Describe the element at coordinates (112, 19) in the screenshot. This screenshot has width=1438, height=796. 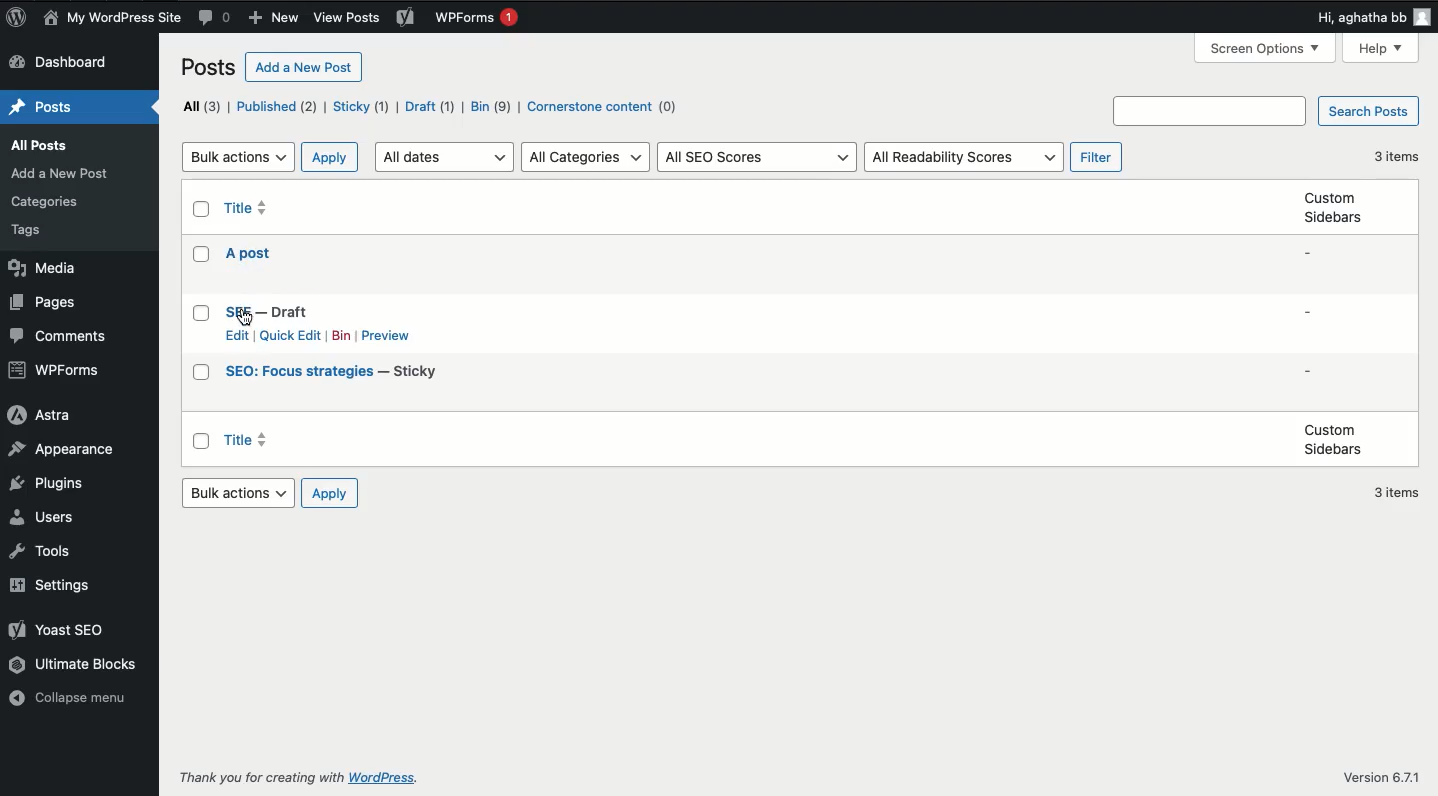
I see `Name` at that location.